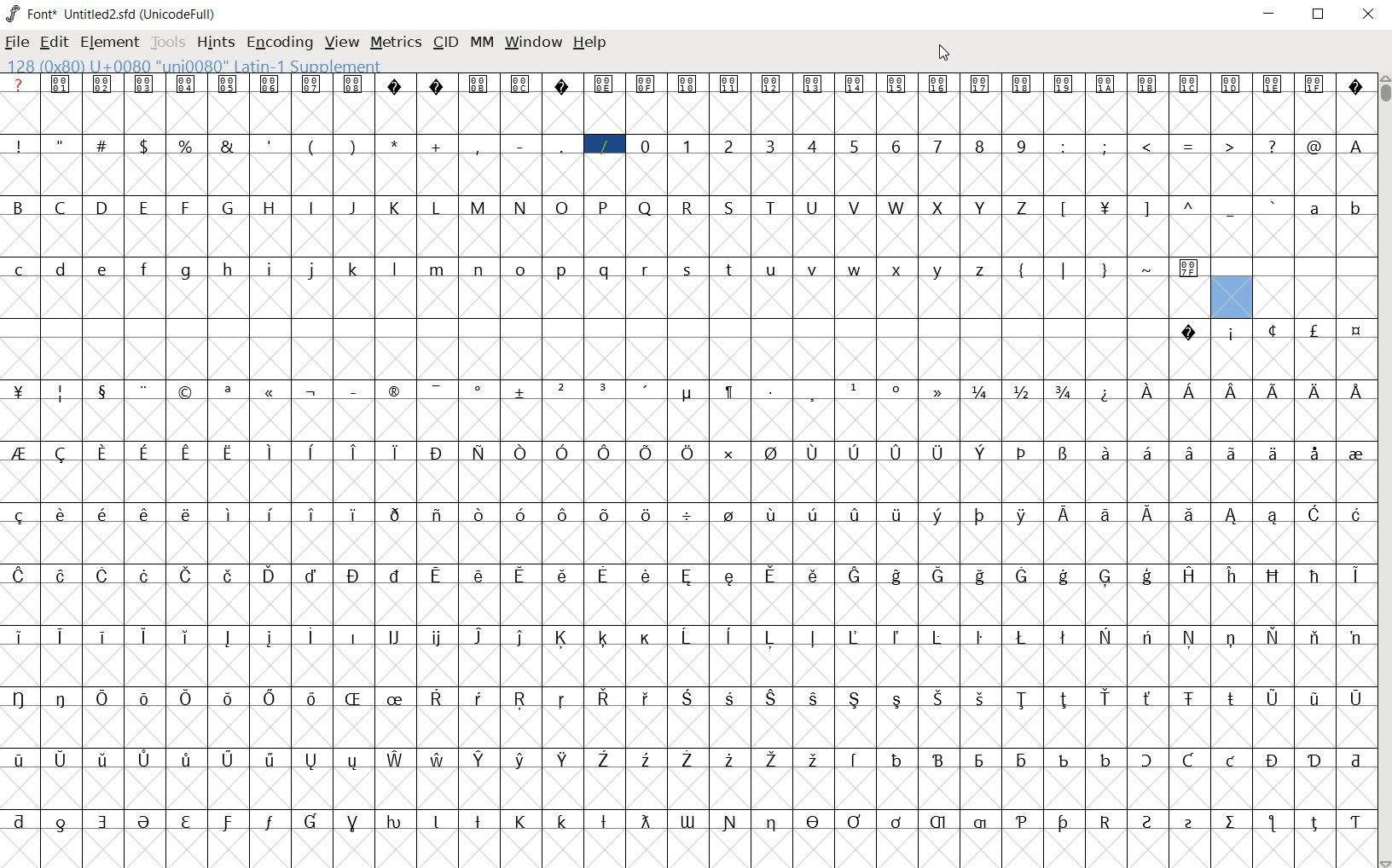  I want to click on glyph, so click(476, 147).